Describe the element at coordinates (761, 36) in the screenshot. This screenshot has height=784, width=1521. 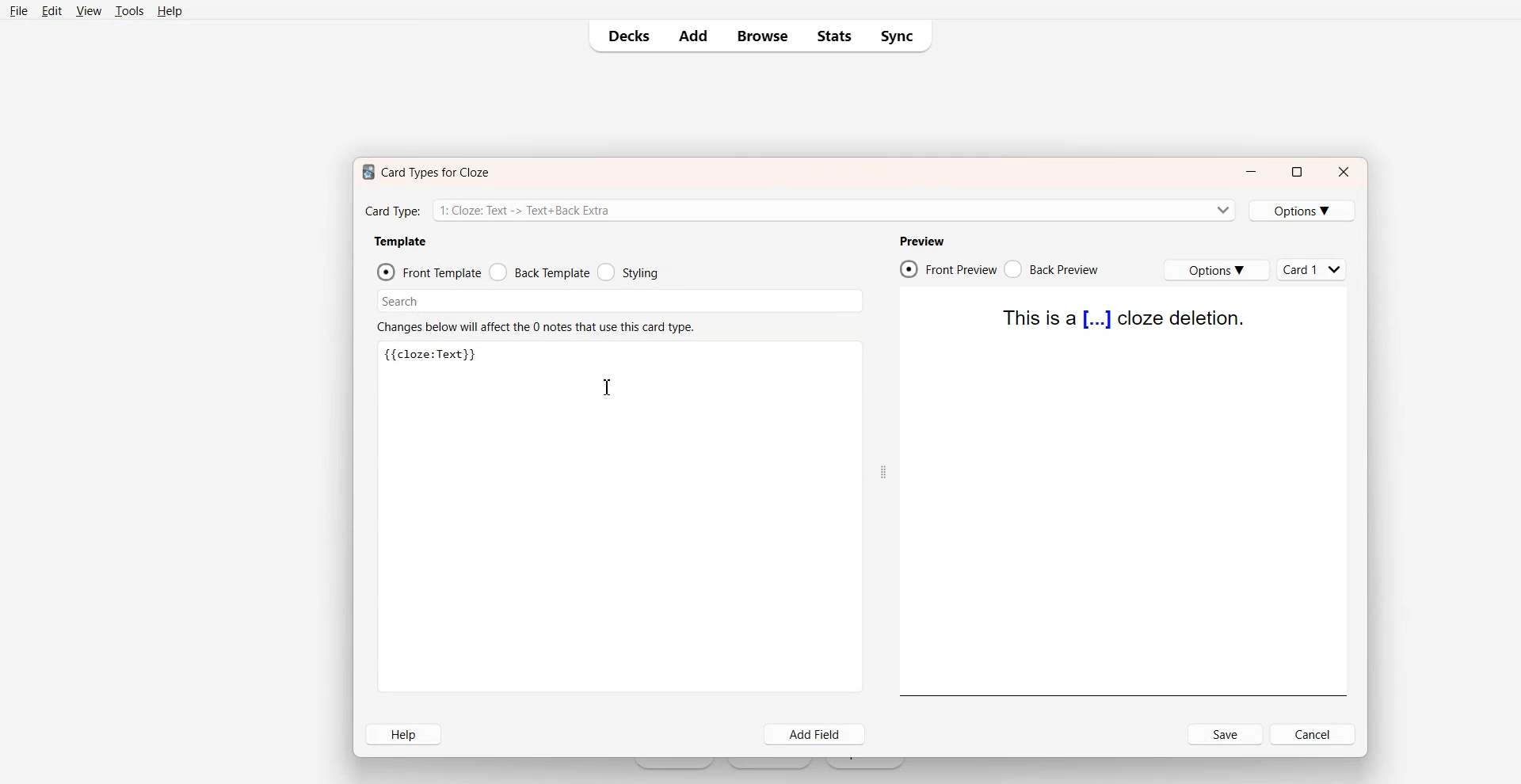
I see `Browse` at that location.